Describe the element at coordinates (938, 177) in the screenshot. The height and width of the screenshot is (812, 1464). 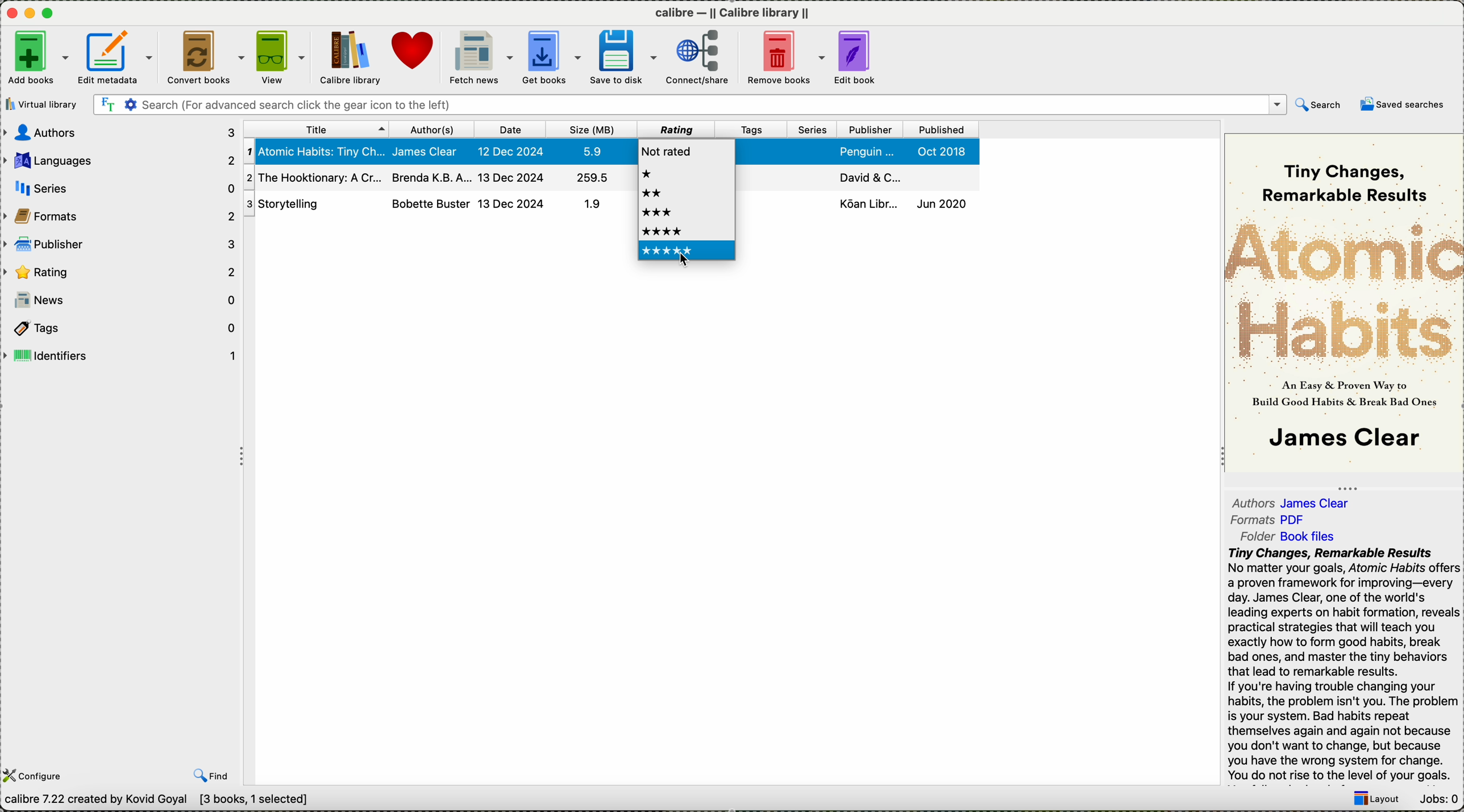
I see `published` at that location.